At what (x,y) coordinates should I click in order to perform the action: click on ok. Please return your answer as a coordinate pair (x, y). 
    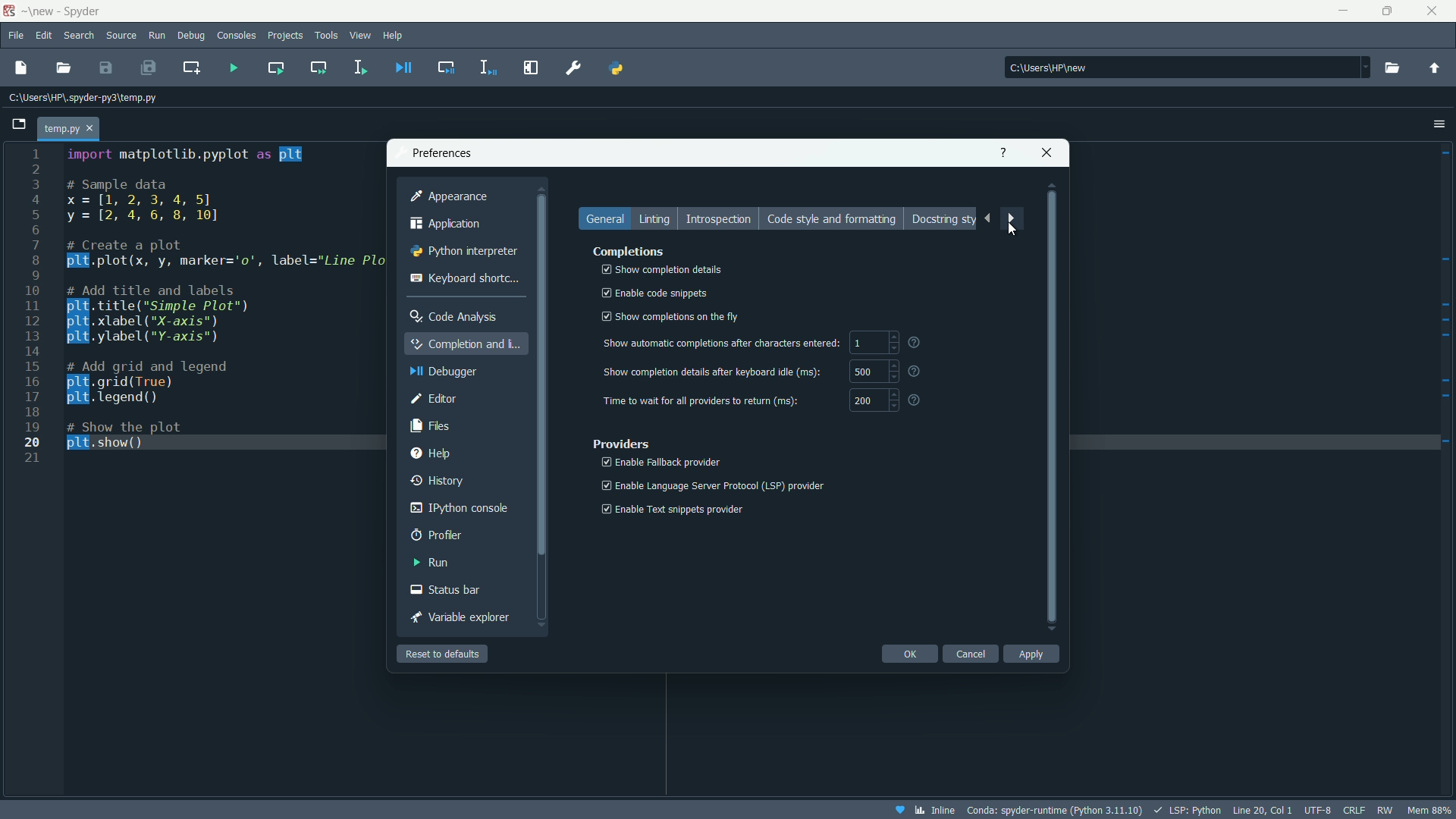
    Looking at the image, I should click on (909, 654).